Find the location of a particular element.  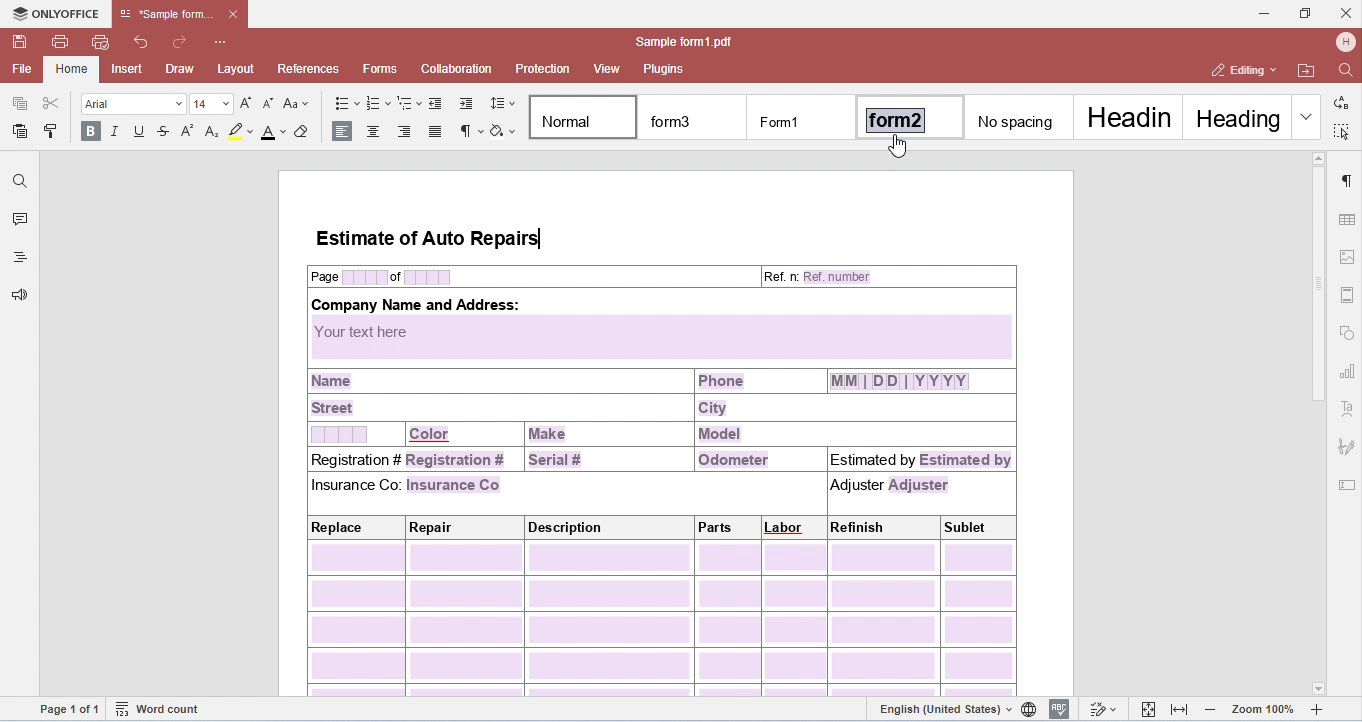

cursor is located at coordinates (899, 147).